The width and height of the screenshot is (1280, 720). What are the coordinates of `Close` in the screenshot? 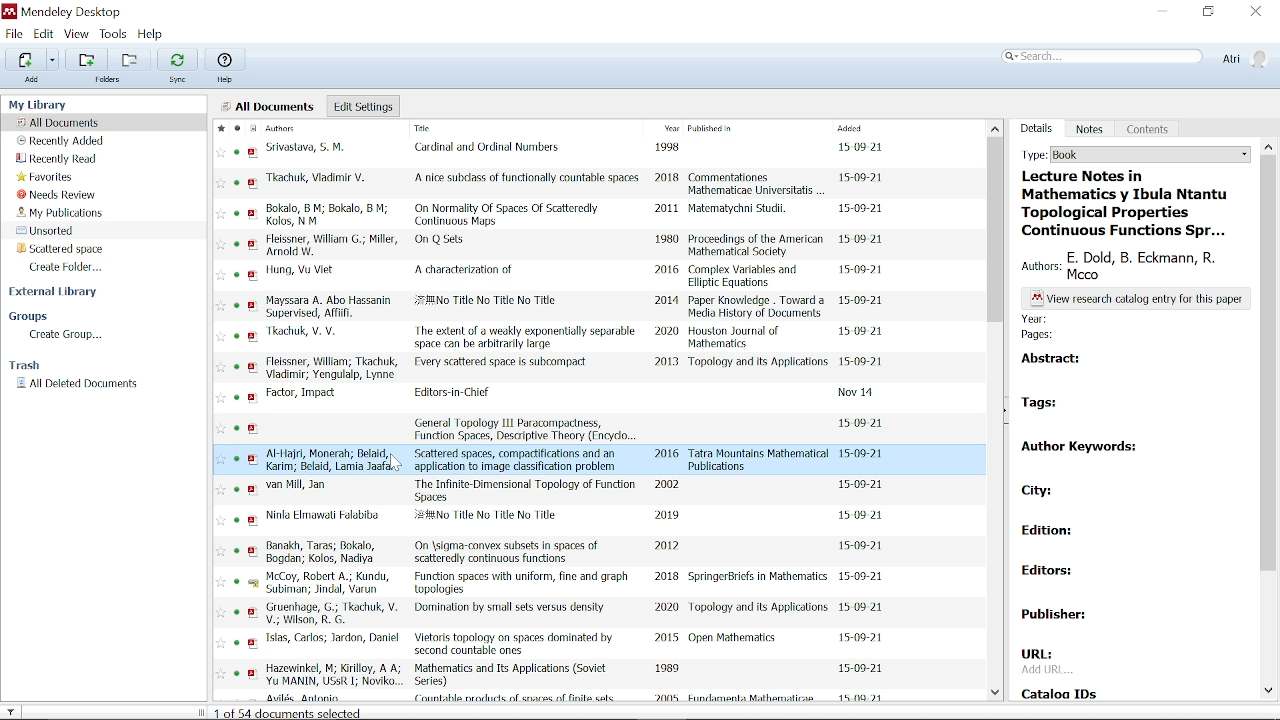 It's located at (1257, 12).